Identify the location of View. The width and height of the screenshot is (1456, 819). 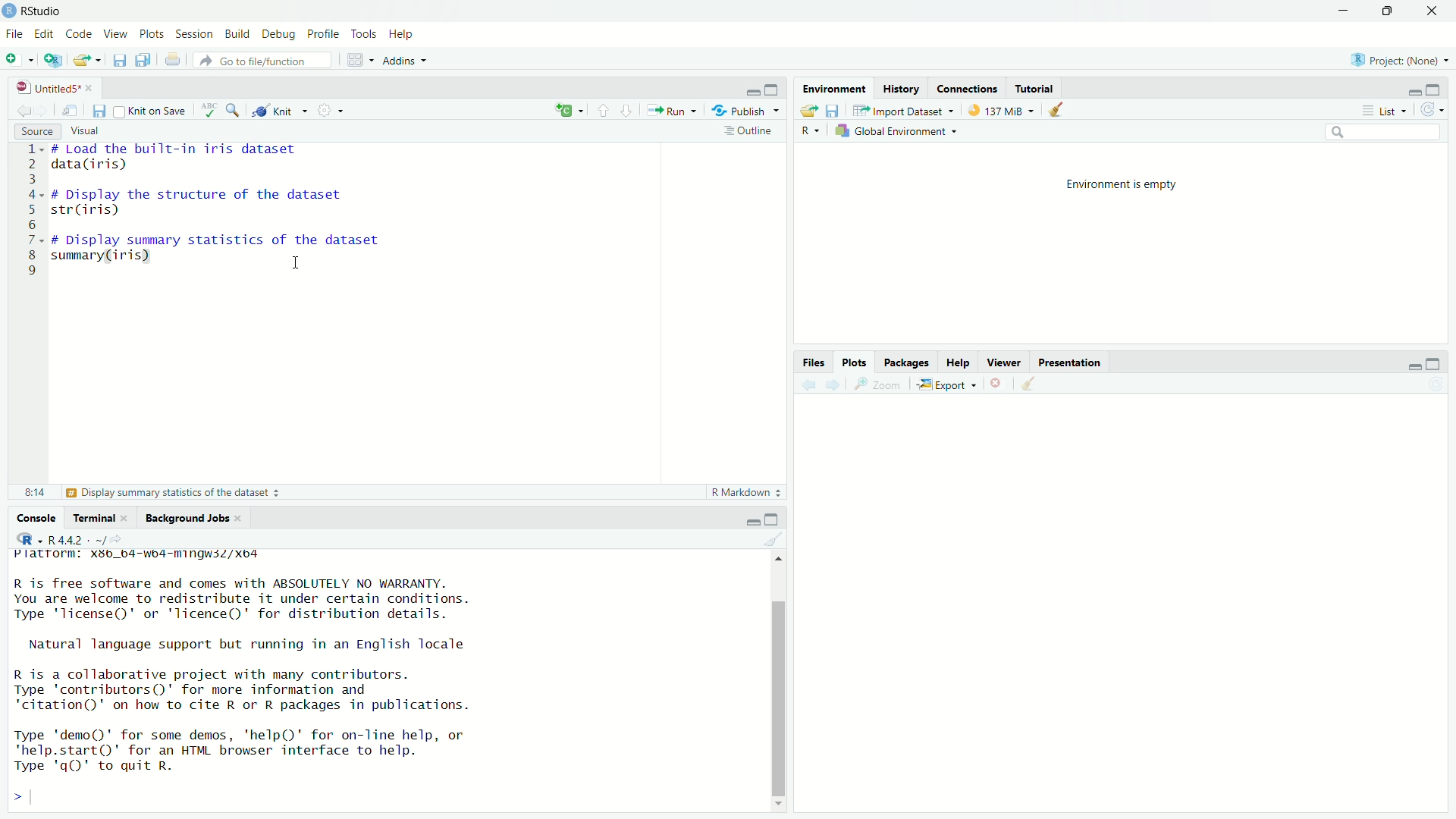
(115, 33).